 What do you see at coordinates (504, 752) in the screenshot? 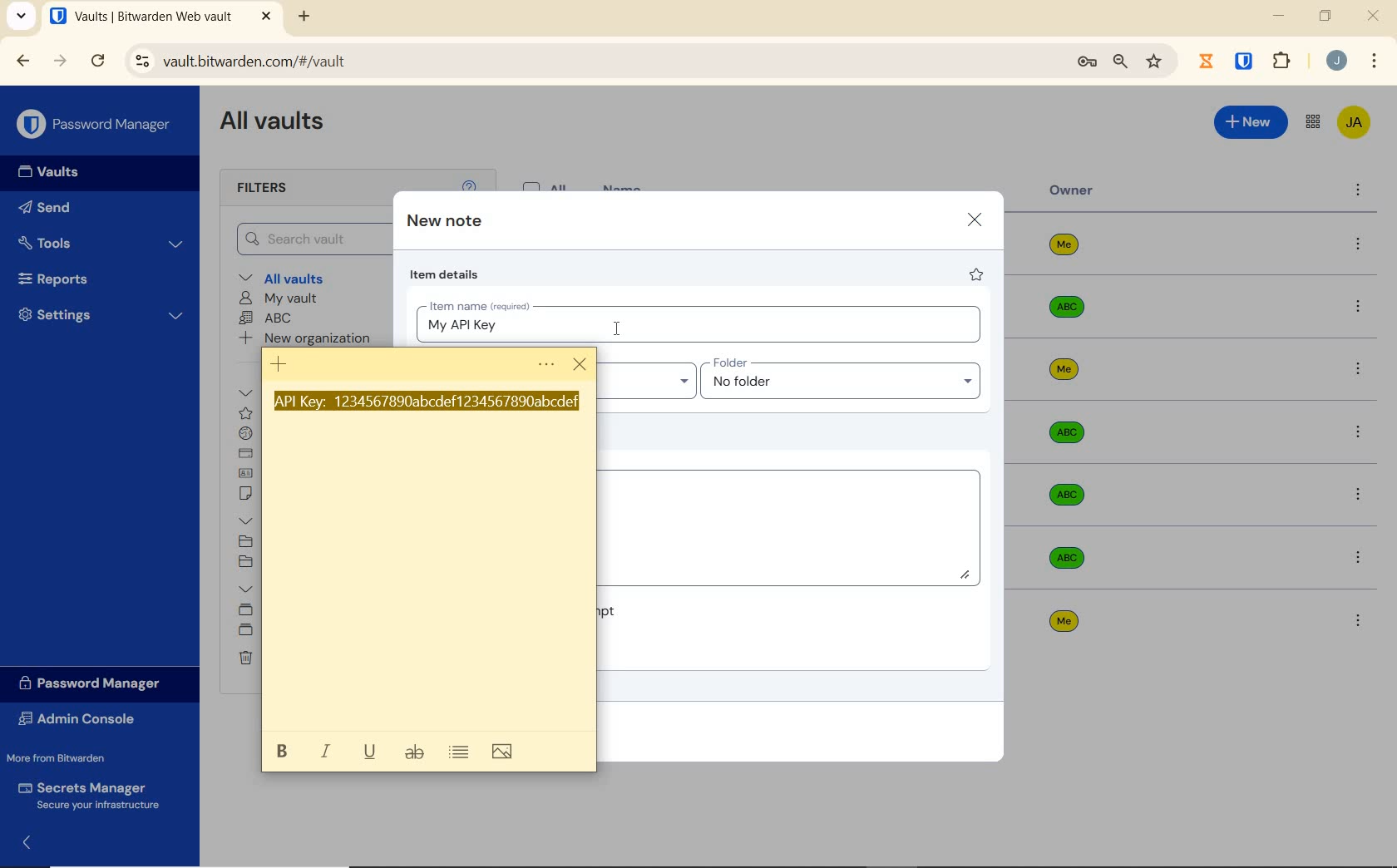
I see `add image` at bounding box center [504, 752].